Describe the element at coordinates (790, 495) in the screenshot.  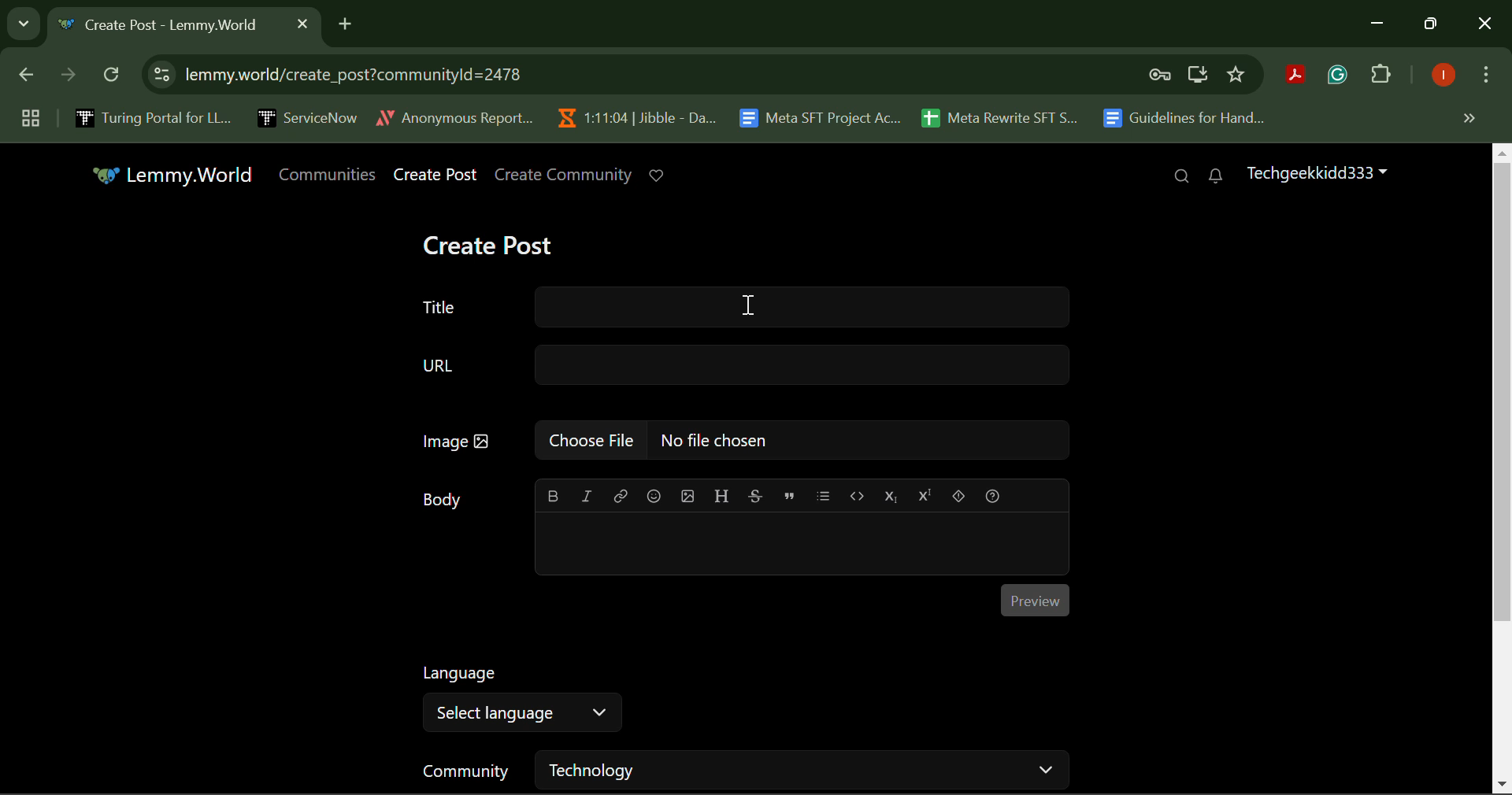
I see `quote` at that location.